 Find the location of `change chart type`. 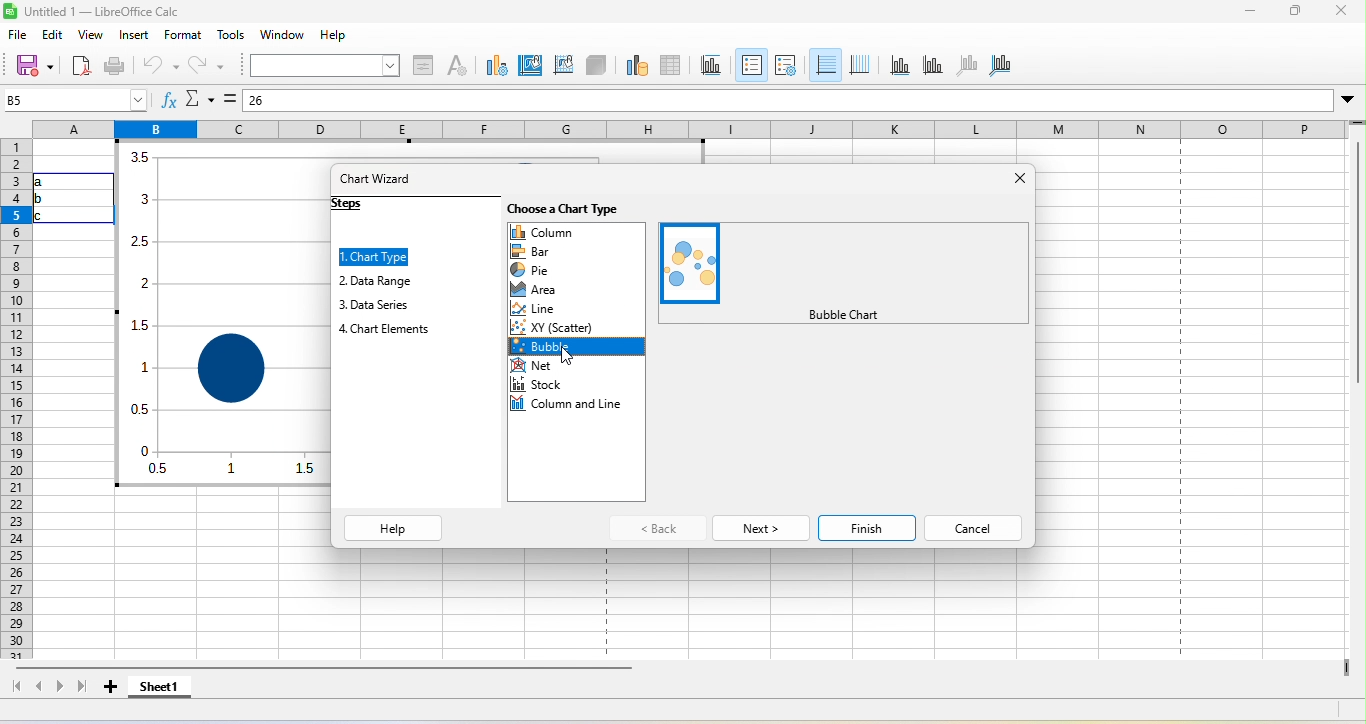

change chart type is located at coordinates (494, 64).